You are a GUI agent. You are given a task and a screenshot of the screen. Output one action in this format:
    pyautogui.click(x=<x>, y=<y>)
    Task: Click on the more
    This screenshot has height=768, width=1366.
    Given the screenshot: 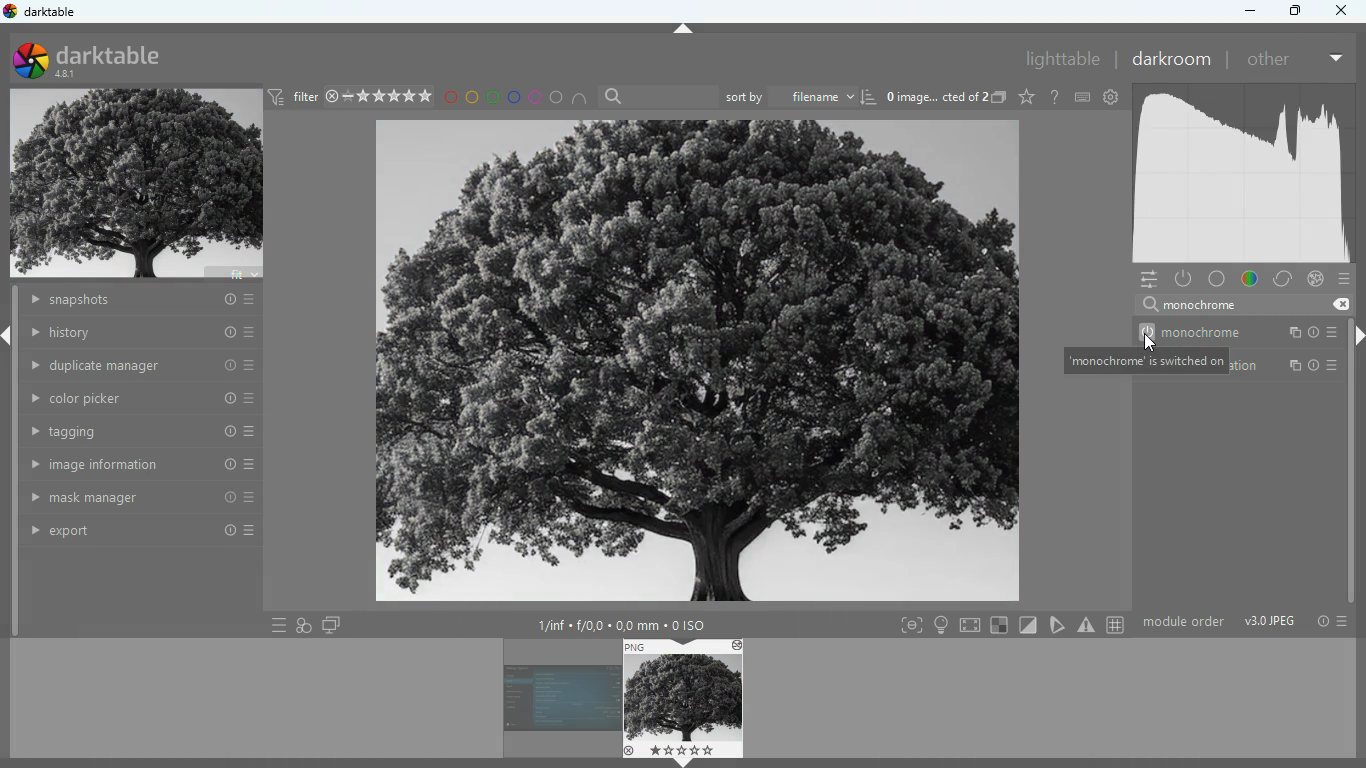 What is the action you would take?
    pyautogui.click(x=1337, y=59)
    